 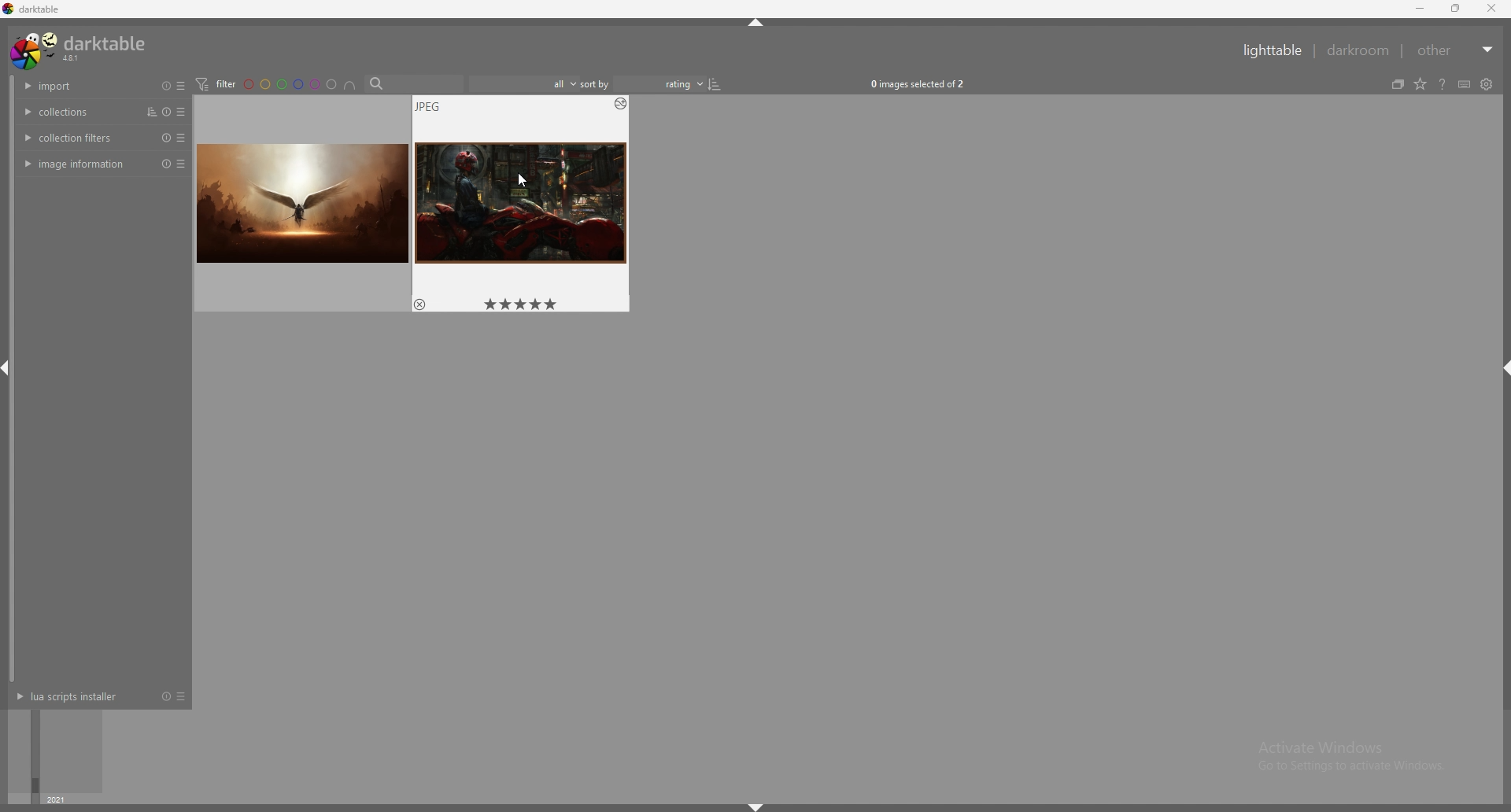 I want to click on filter by images rating, so click(x=528, y=82).